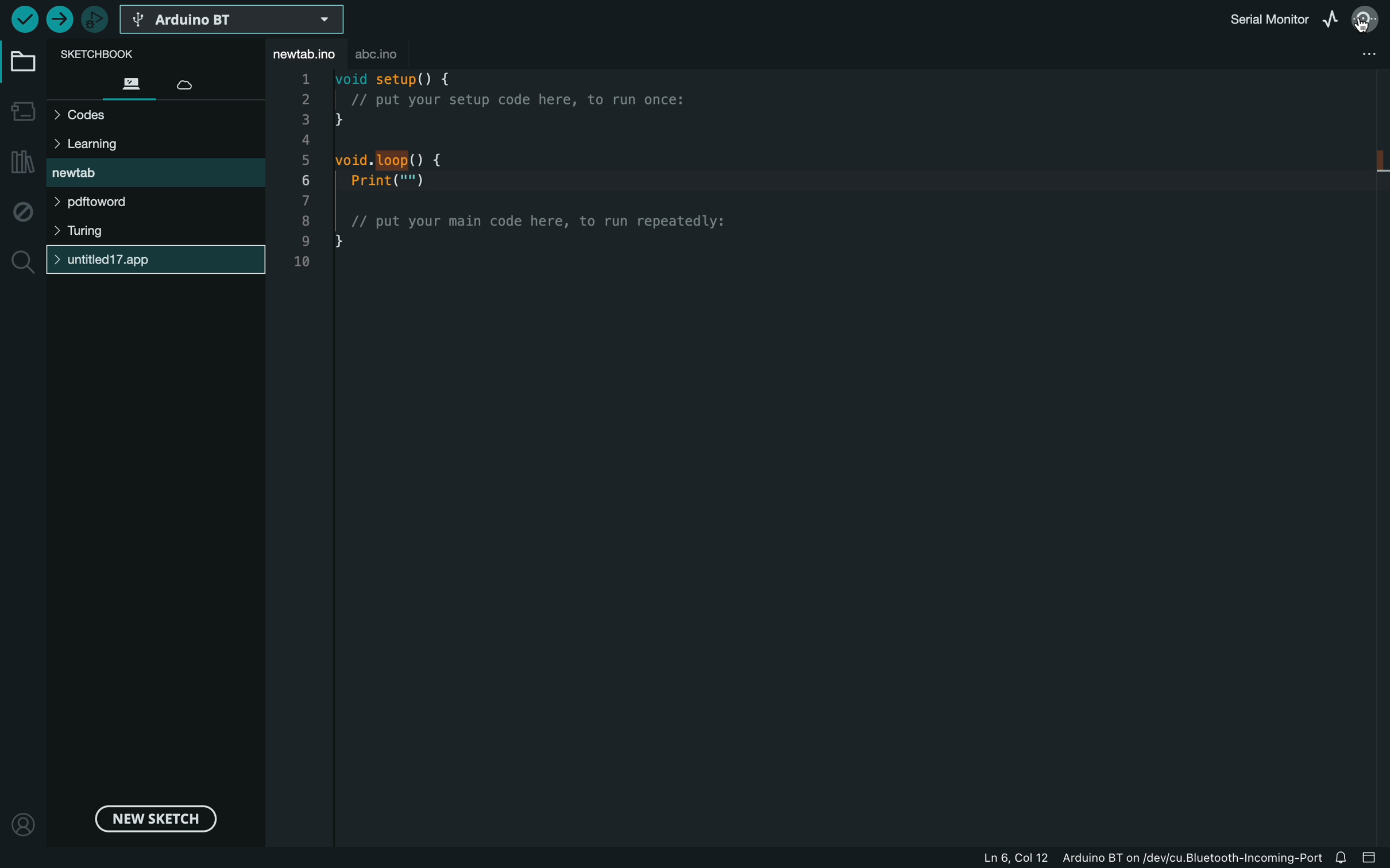 The width and height of the screenshot is (1390, 868). I want to click on profile, so click(22, 821).